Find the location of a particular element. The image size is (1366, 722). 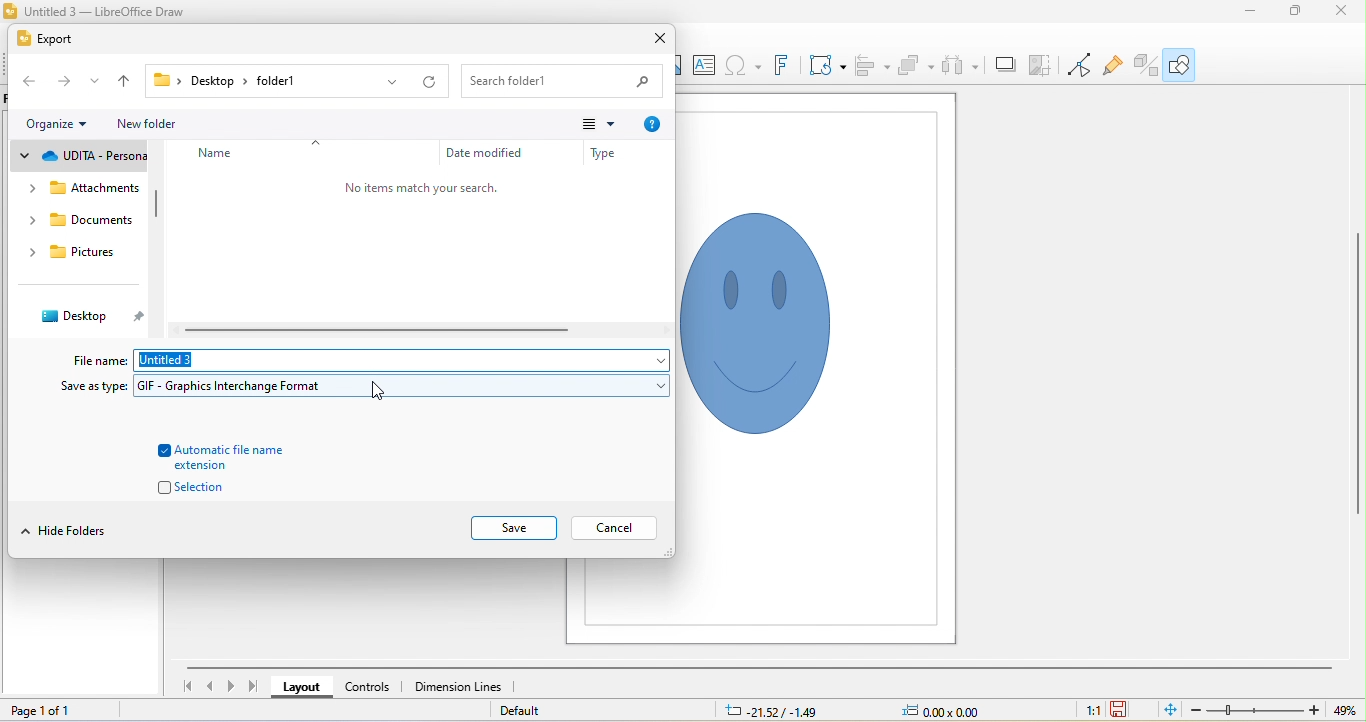

zoom is located at coordinates (1274, 709).